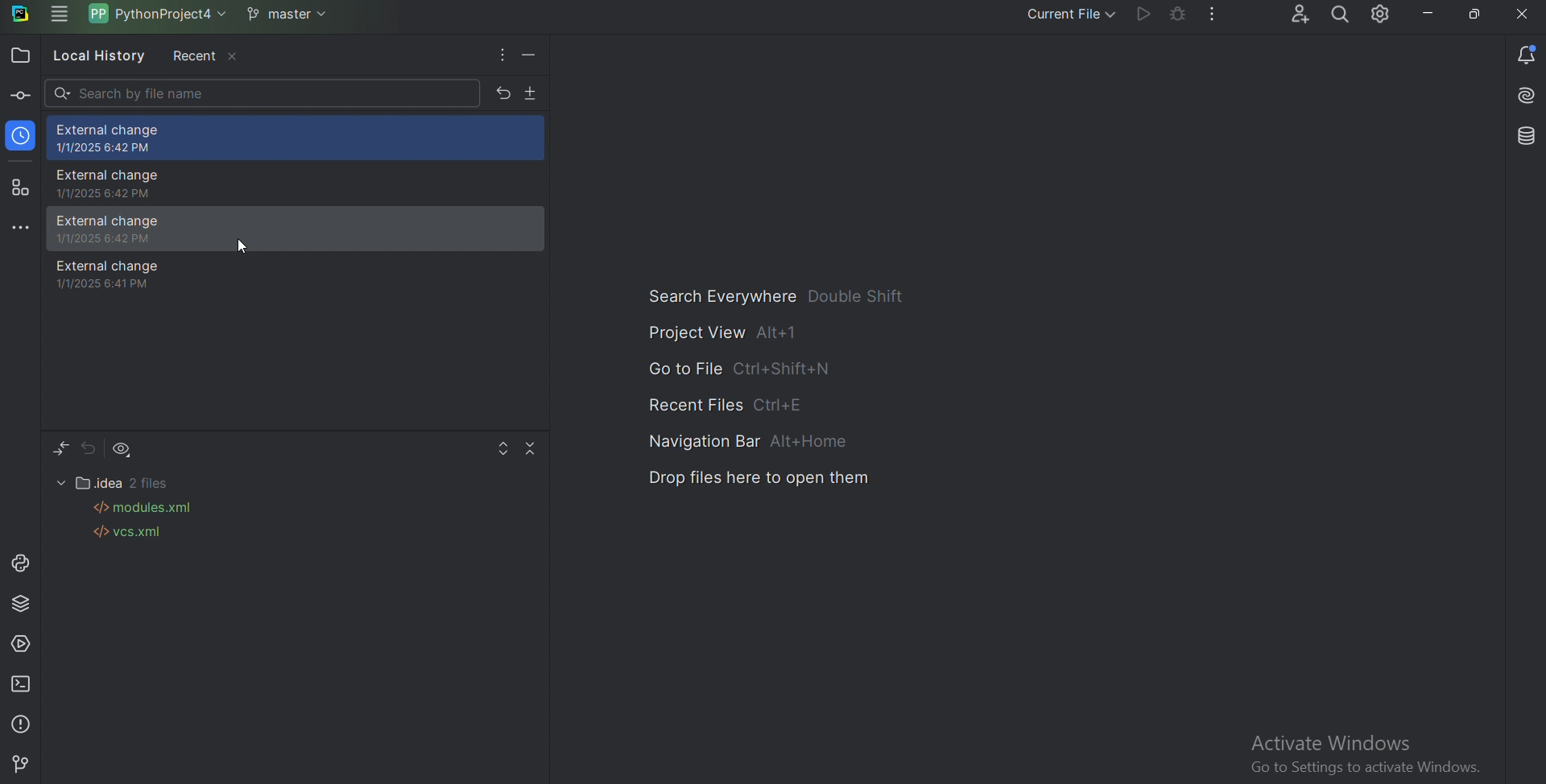 The width and height of the screenshot is (1546, 784). Describe the element at coordinates (1523, 14) in the screenshot. I see `Cross` at that location.